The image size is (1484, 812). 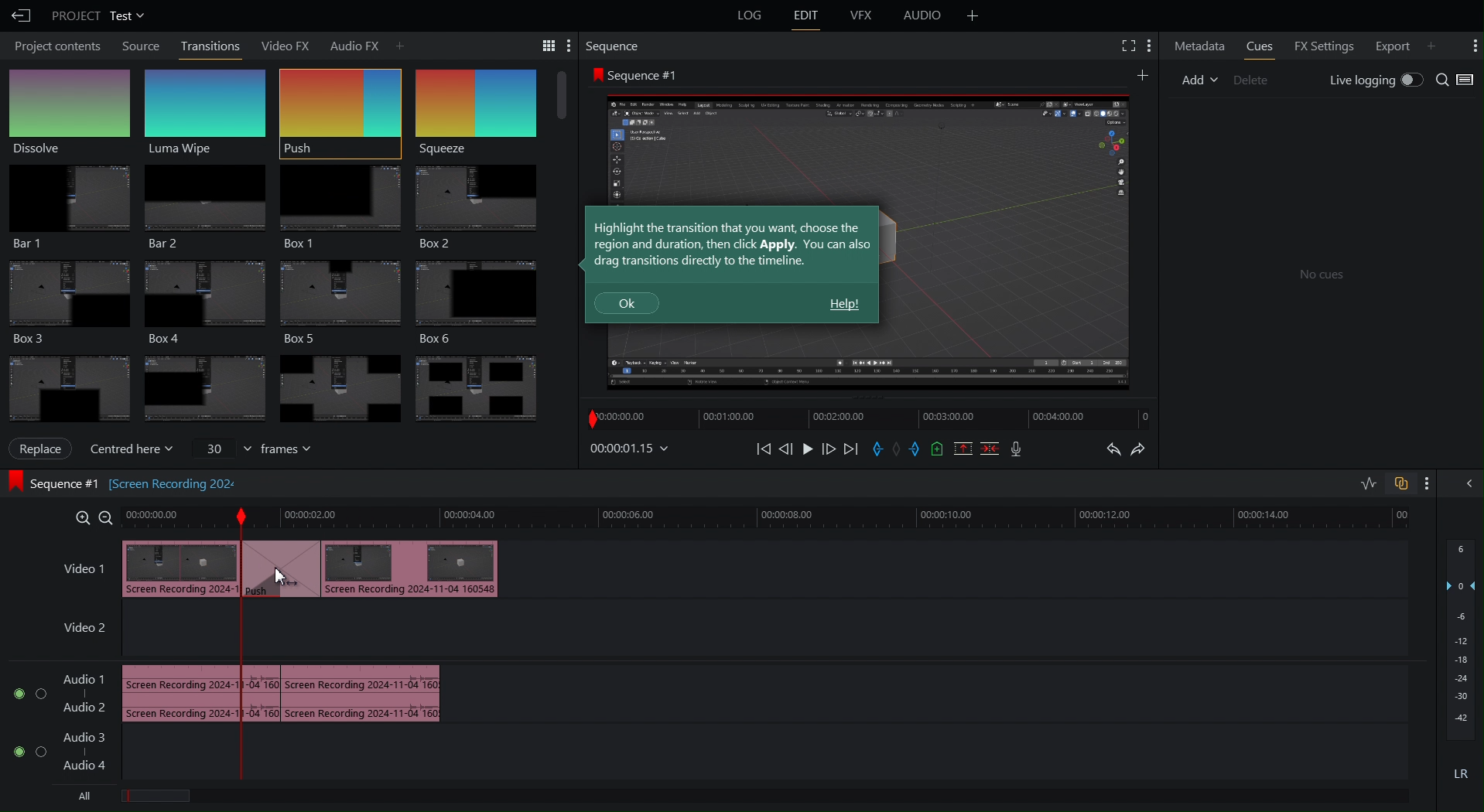 What do you see at coordinates (78, 630) in the screenshot?
I see `Video 2` at bounding box center [78, 630].